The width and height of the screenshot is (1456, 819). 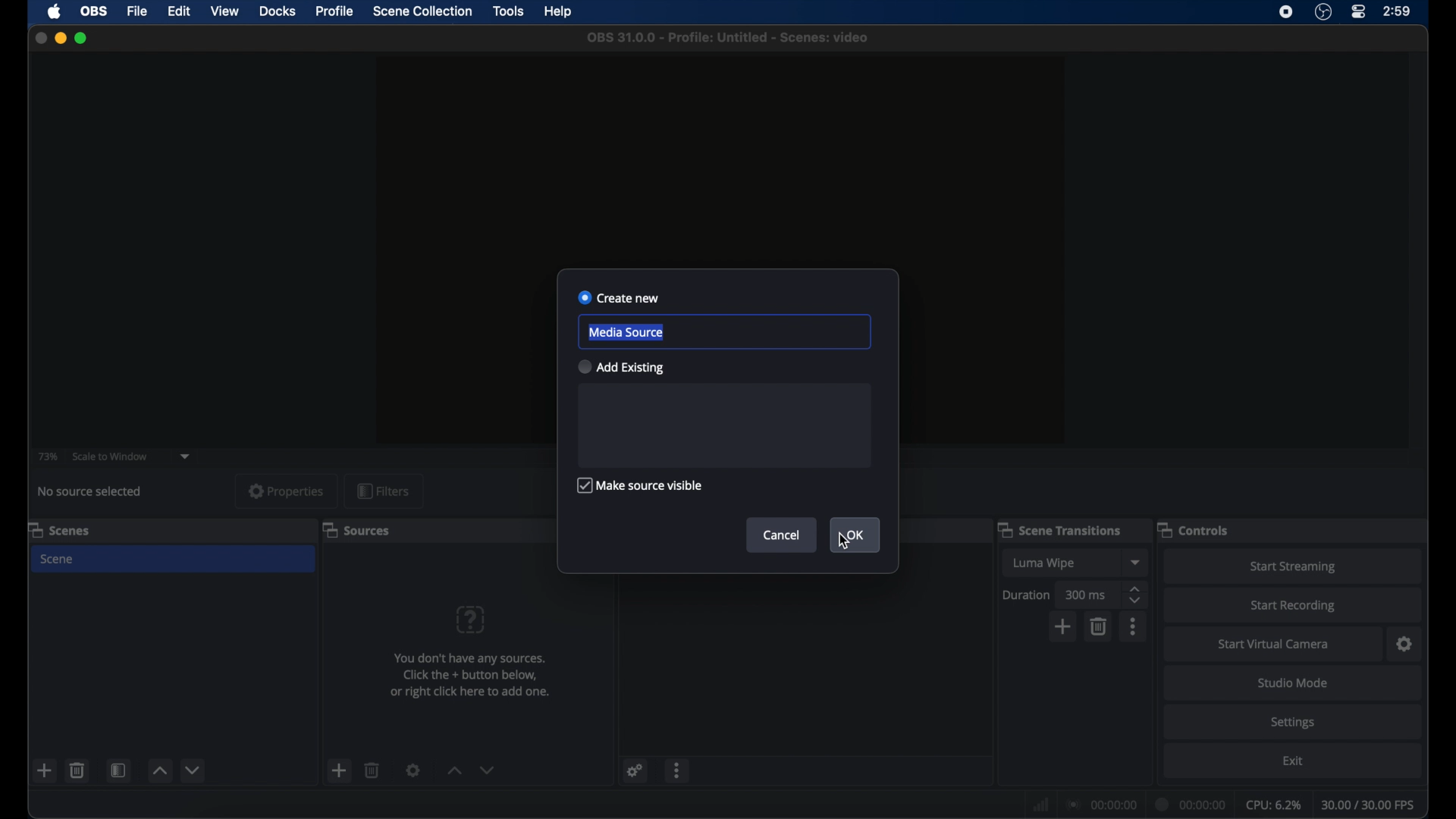 I want to click on maximize, so click(x=81, y=38).